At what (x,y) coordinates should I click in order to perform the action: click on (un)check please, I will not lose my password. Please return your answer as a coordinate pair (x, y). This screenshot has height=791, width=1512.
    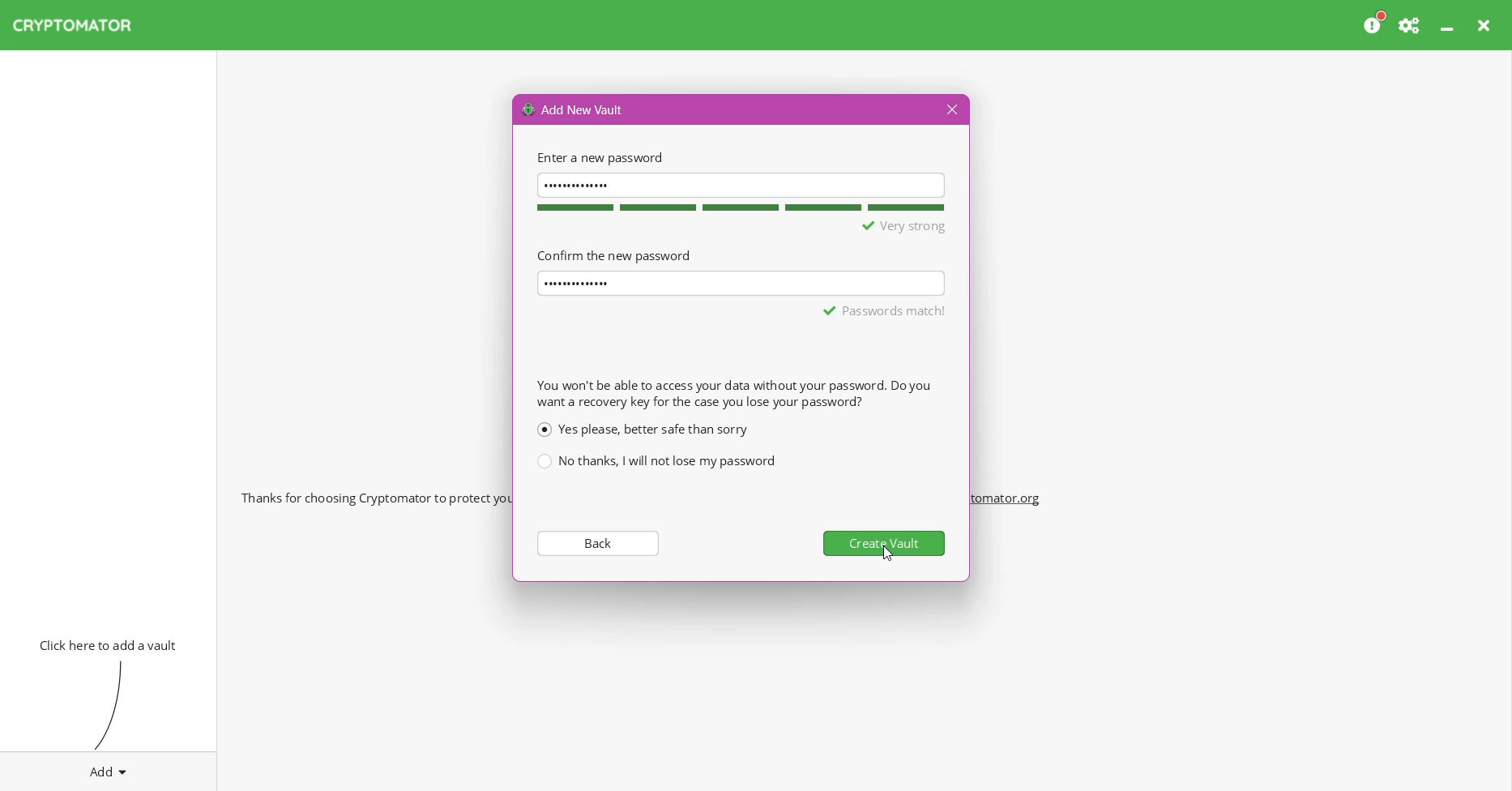
    Looking at the image, I should click on (656, 461).